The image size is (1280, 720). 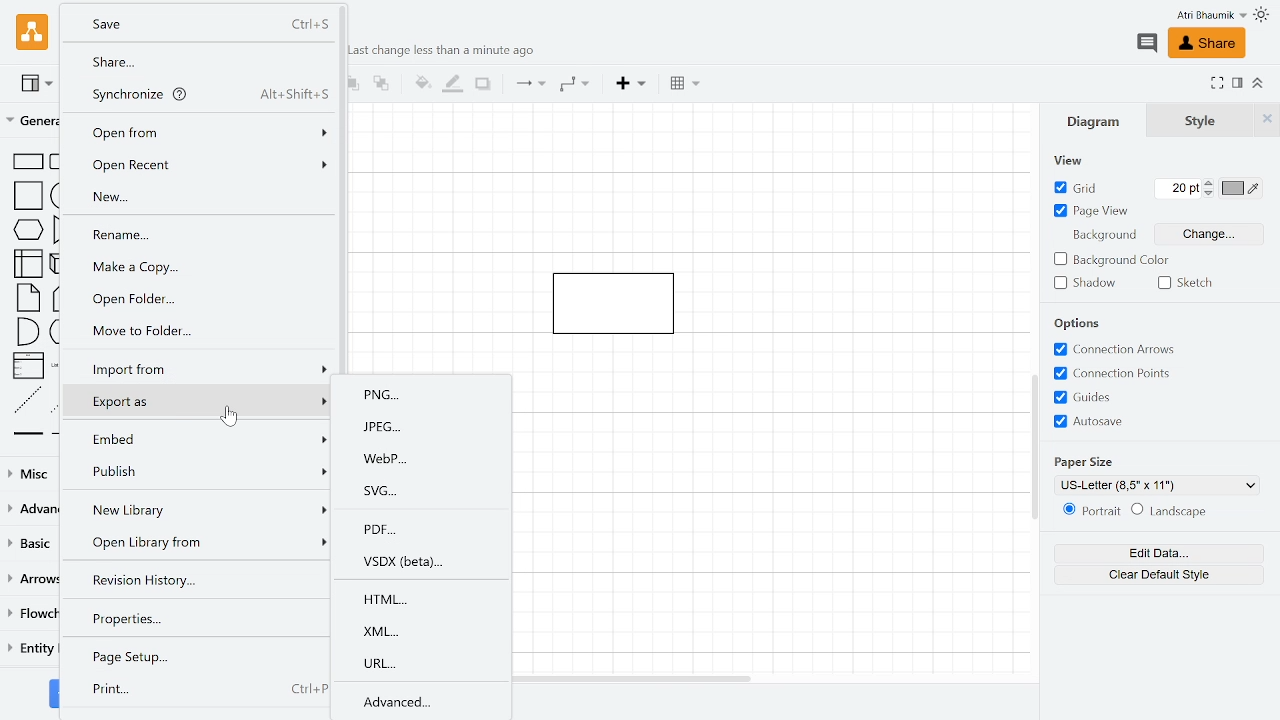 What do you see at coordinates (427, 661) in the screenshot?
I see `URL` at bounding box center [427, 661].